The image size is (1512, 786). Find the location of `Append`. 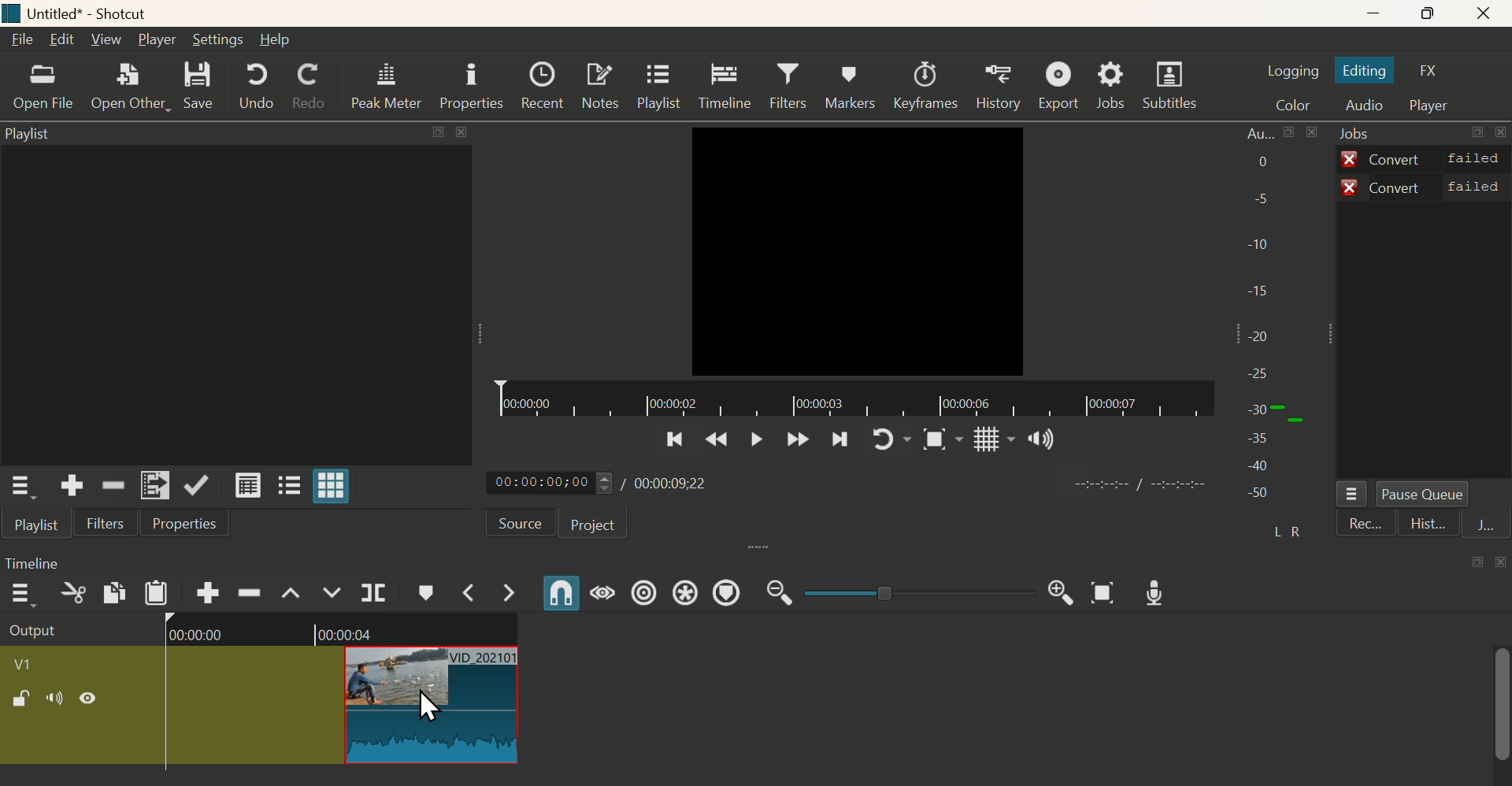

Append is located at coordinates (206, 592).